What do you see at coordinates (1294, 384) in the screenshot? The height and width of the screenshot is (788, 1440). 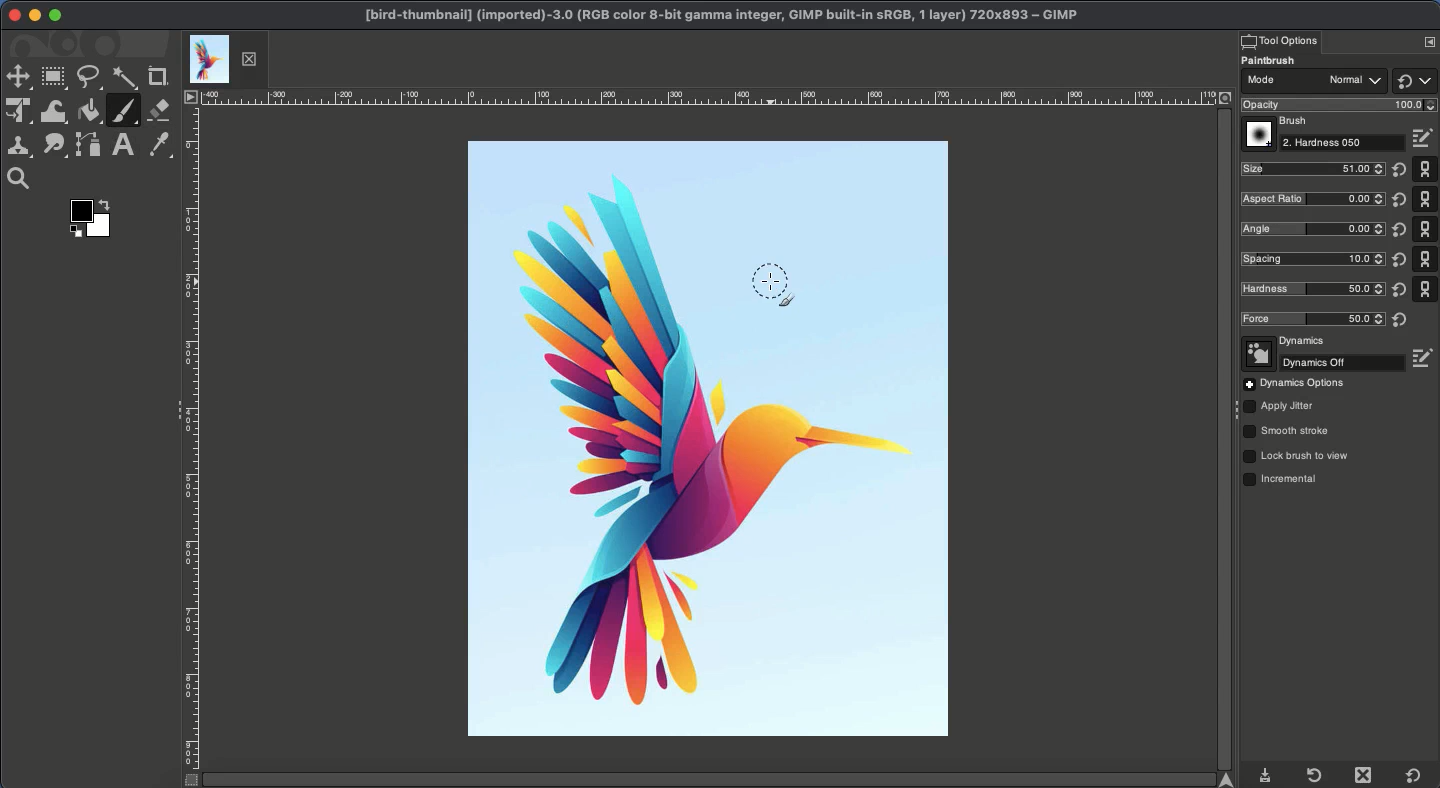 I see `Options` at bounding box center [1294, 384].